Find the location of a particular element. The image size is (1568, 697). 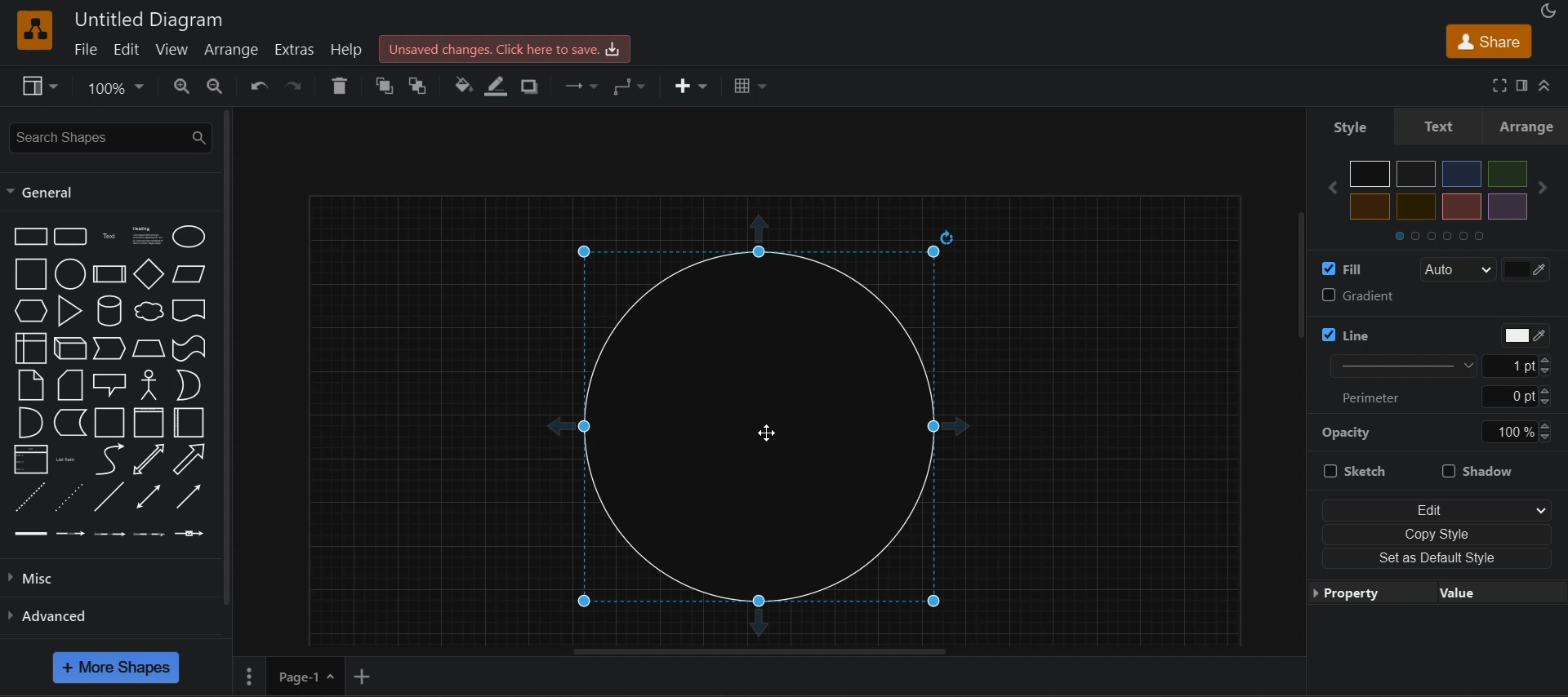

waypoints is located at coordinates (629, 87).